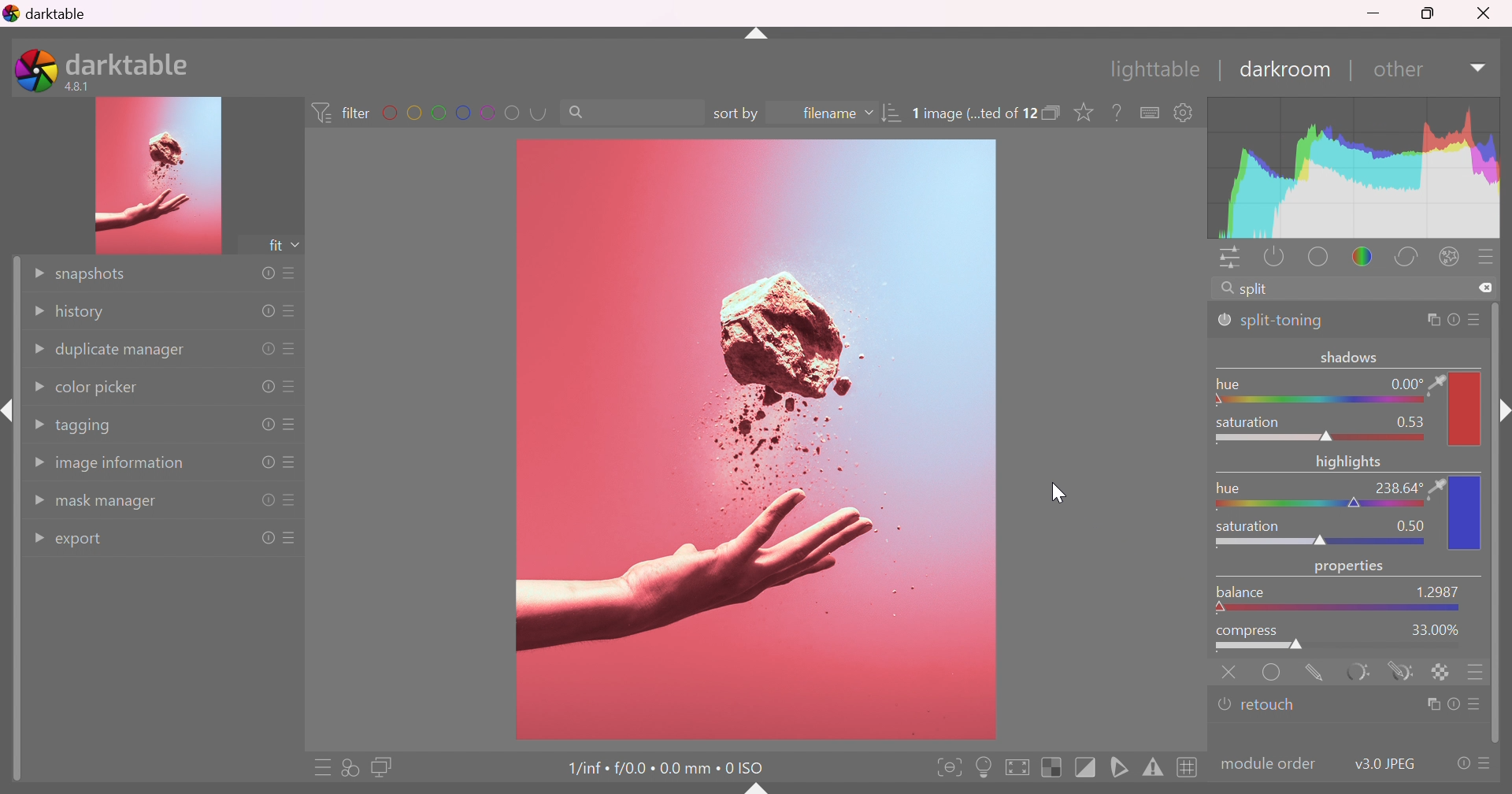 The height and width of the screenshot is (794, 1512). Describe the element at coordinates (1347, 461) in the screenshot. I see `highlights` at that location.